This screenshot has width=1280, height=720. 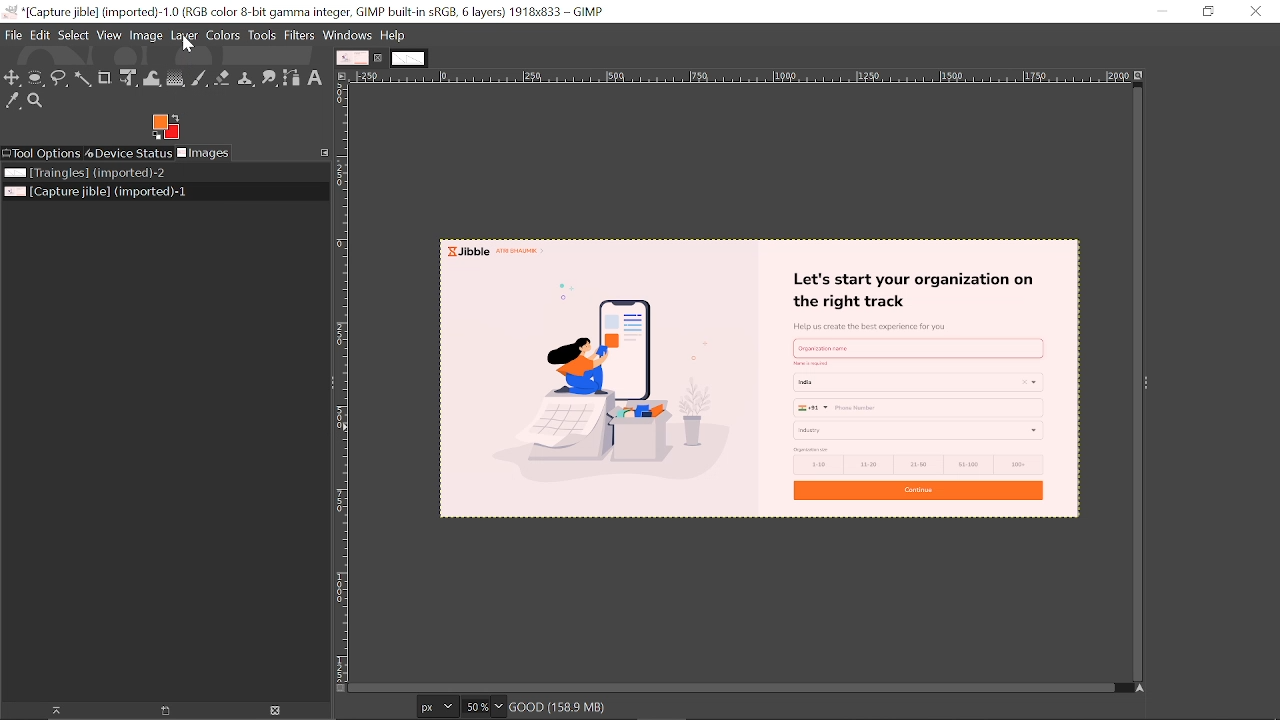 What do you see at coordinates (322, 152) in the screenshot?
I see `Configure this tab` at bounding box center [322, 152].